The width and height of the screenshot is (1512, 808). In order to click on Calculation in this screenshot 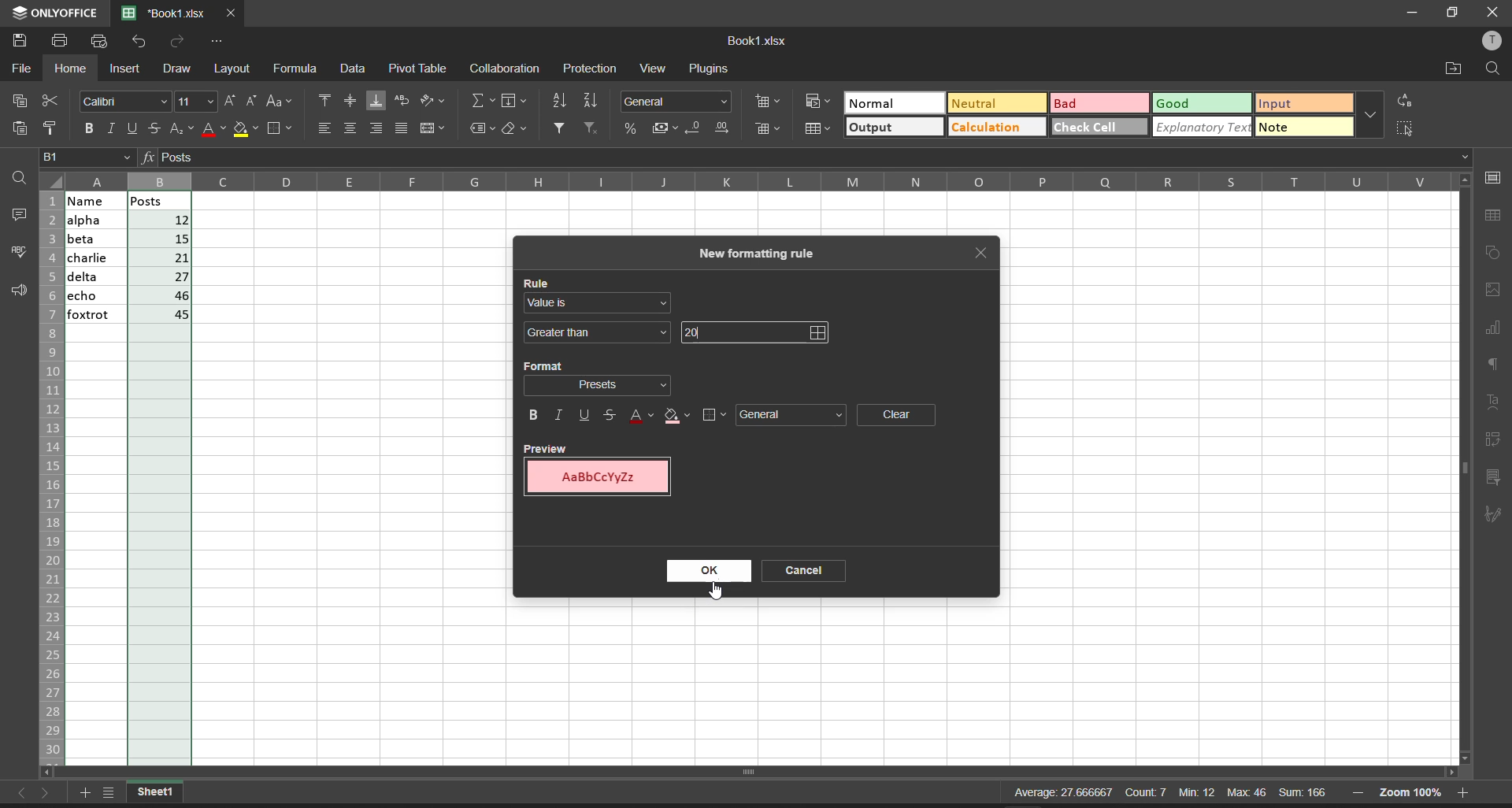, I will do `click(988, 128)`.